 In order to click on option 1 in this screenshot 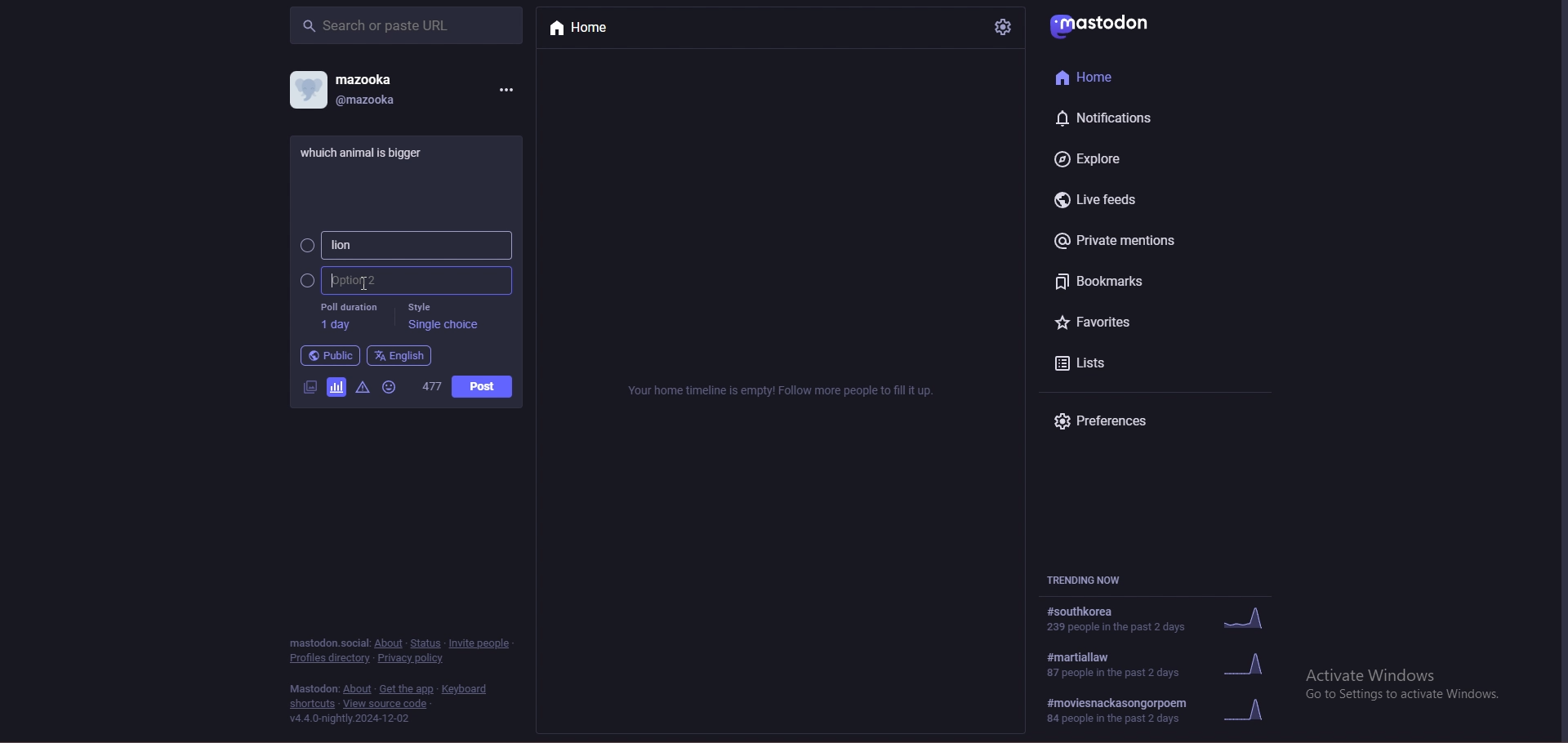, I will do `click(405, 245)`.